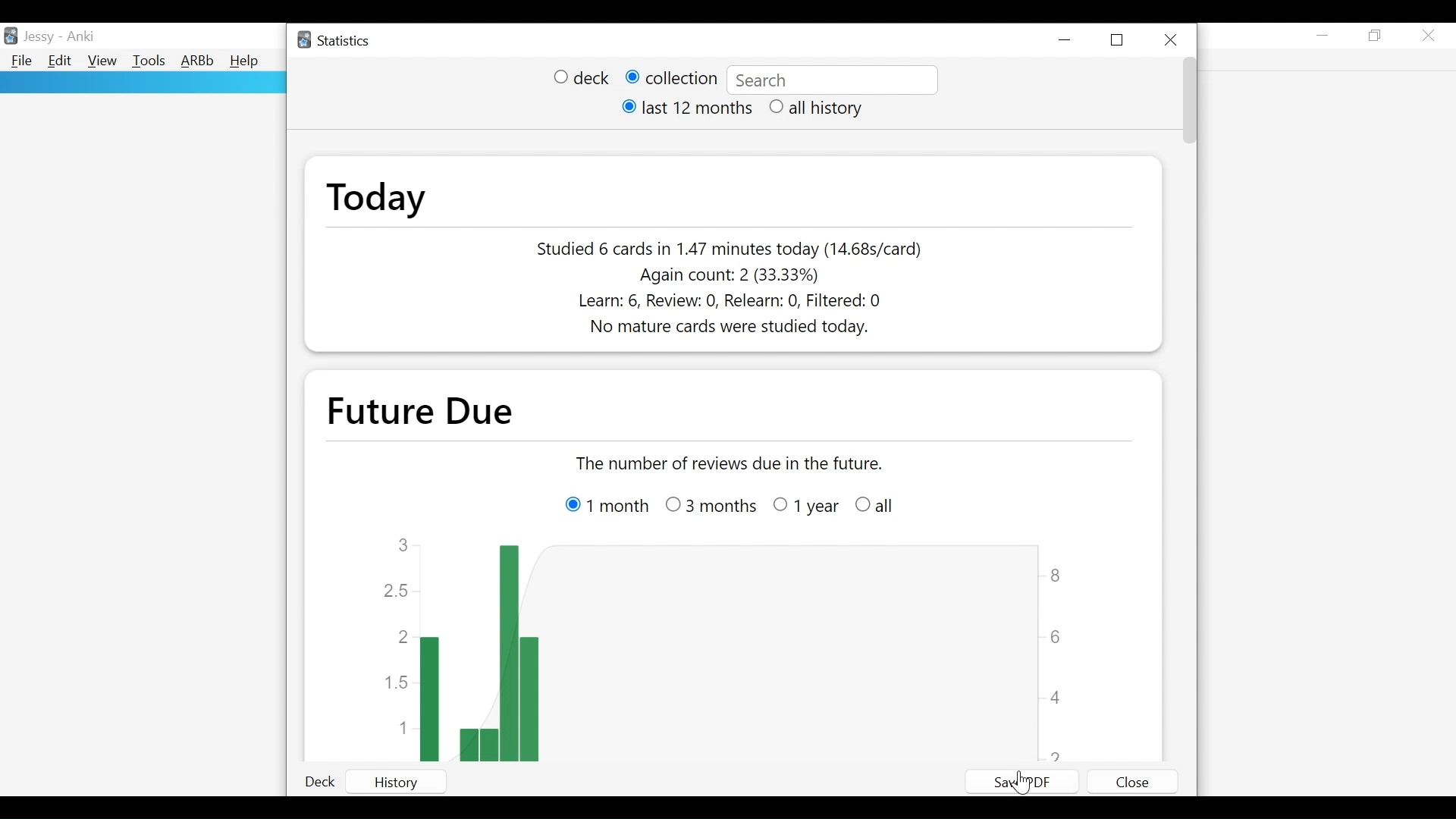  What do you see at coordinates (740, 277) in the screenshot?
I see `Again count` at bounding box center [740, 277].